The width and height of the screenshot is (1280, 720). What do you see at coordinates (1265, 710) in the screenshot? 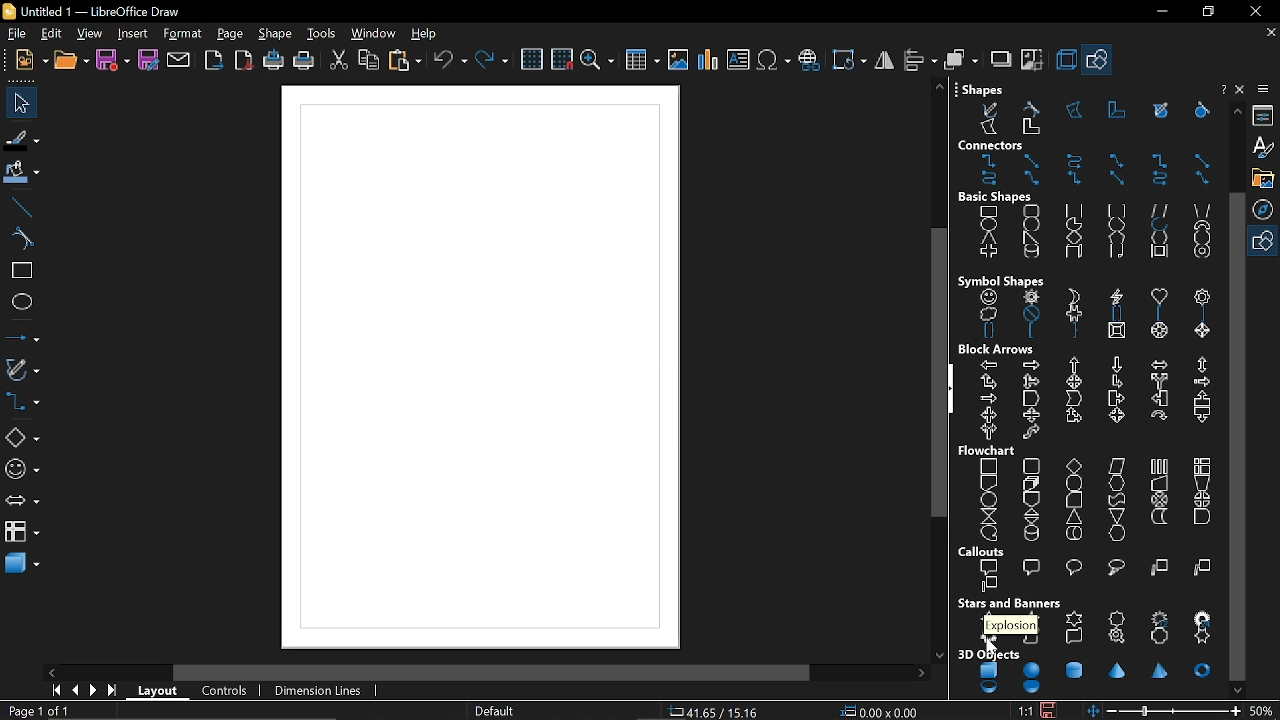
I see `Zoom` at bounding box center [1265, 710].